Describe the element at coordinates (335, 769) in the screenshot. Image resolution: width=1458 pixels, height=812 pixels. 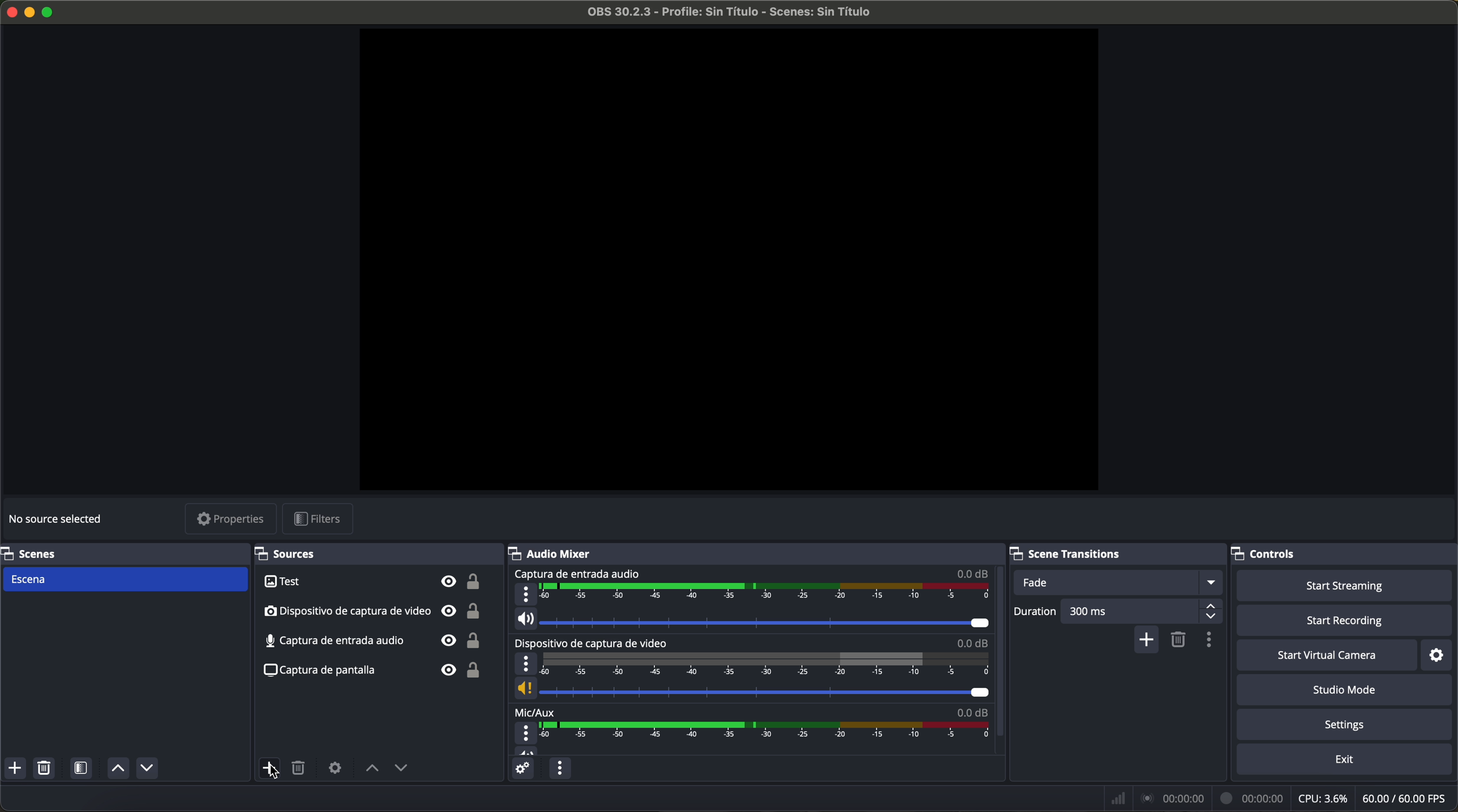
I see `open source properties` at that location.